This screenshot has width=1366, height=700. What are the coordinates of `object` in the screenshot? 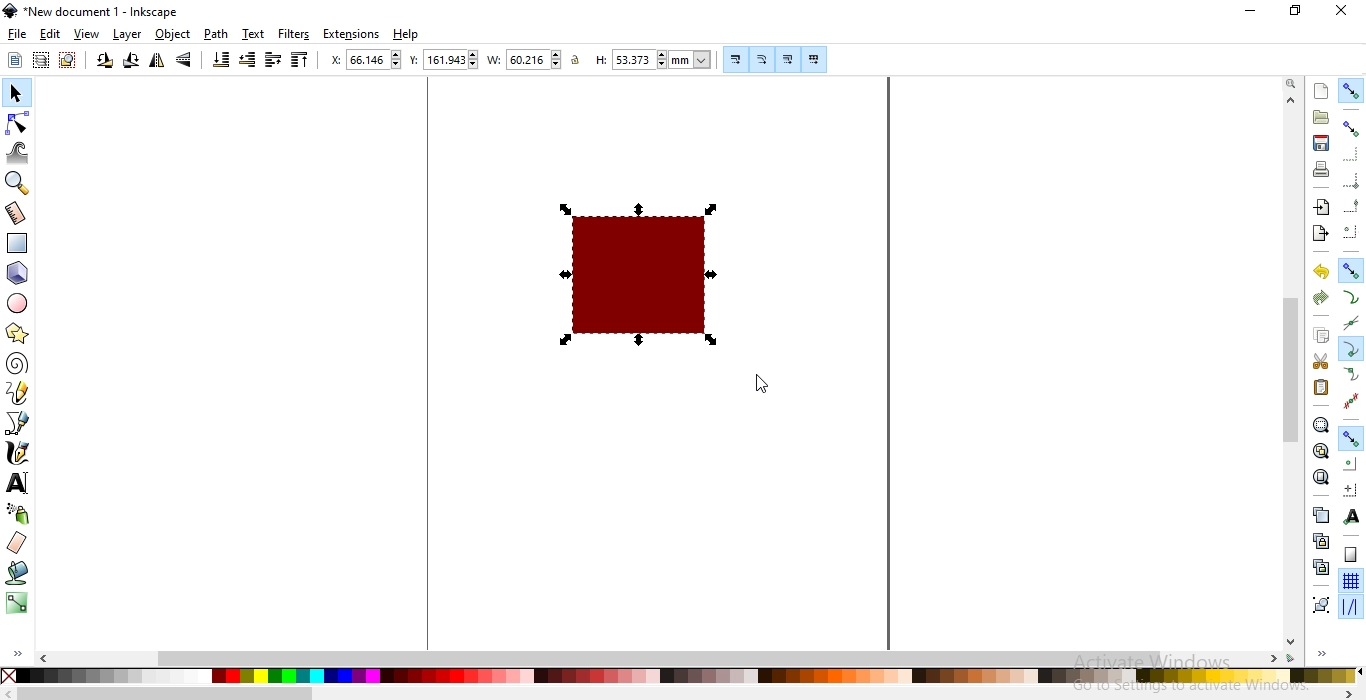 It's located at (174, 35).